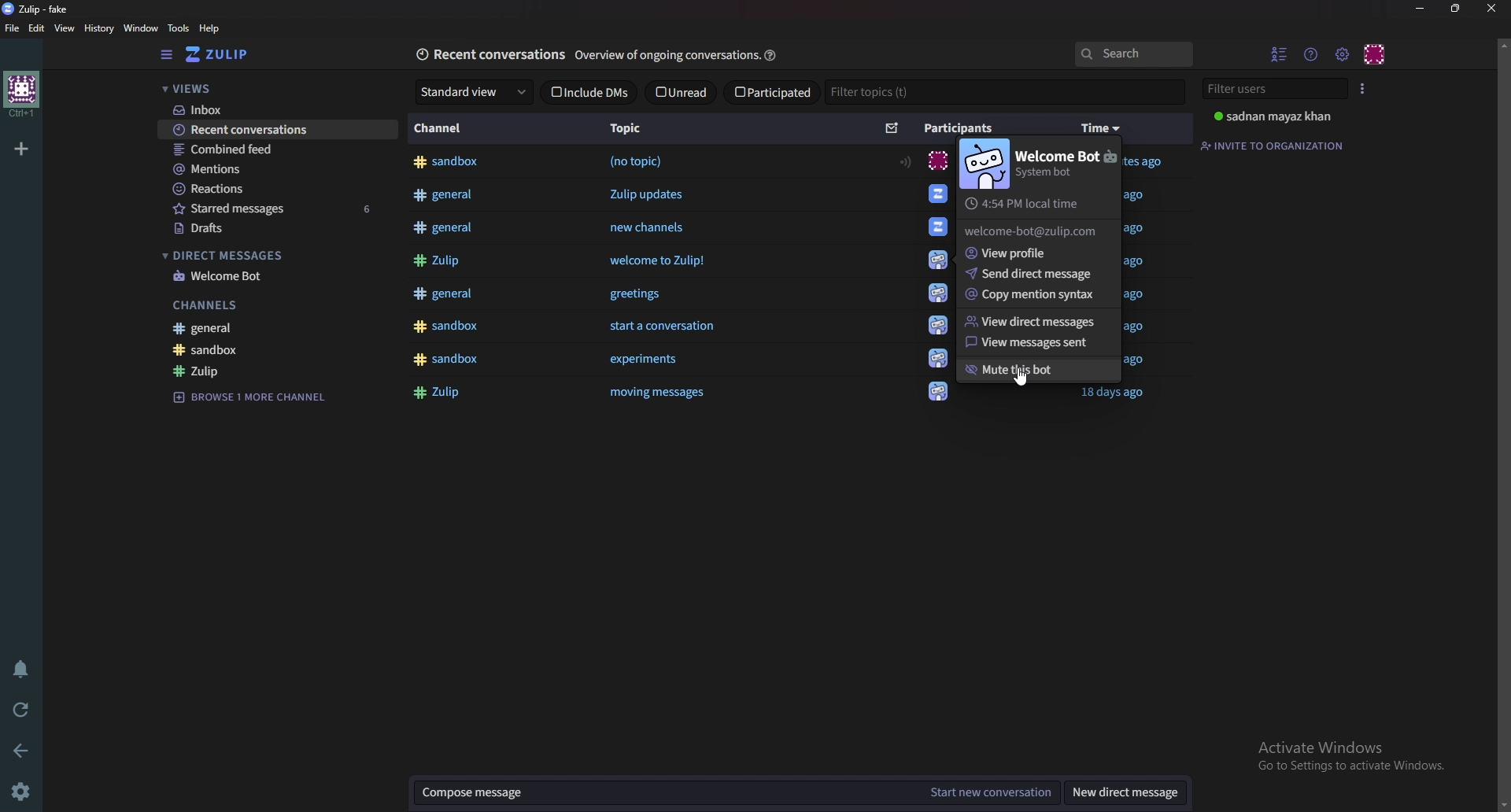 The height and width of the screenshot is (812, 1511). I want to click on user, so click(1272, 116).